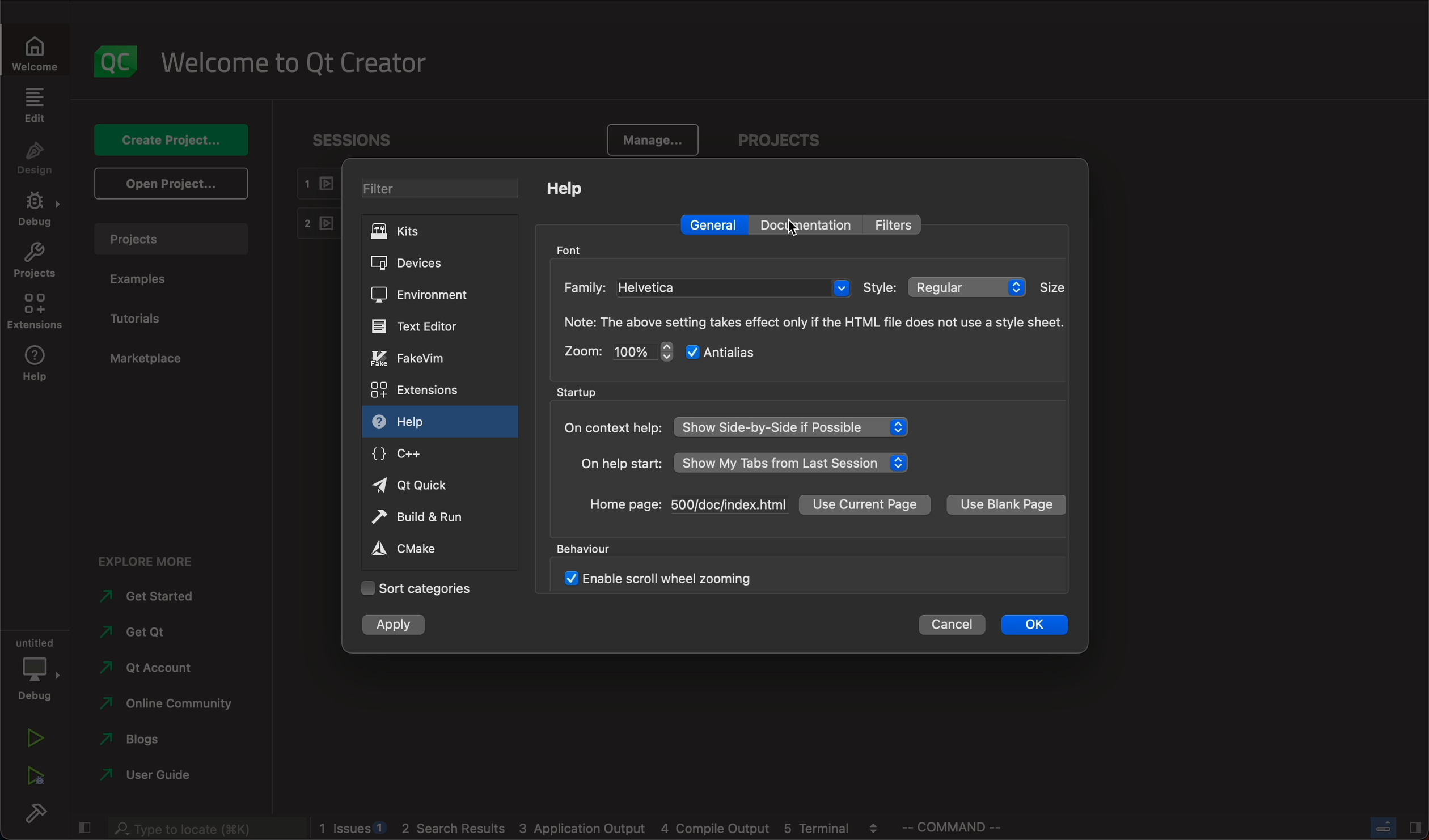 The image size is (1429, 840). I want to click on close slide bar, so click(88, 826).